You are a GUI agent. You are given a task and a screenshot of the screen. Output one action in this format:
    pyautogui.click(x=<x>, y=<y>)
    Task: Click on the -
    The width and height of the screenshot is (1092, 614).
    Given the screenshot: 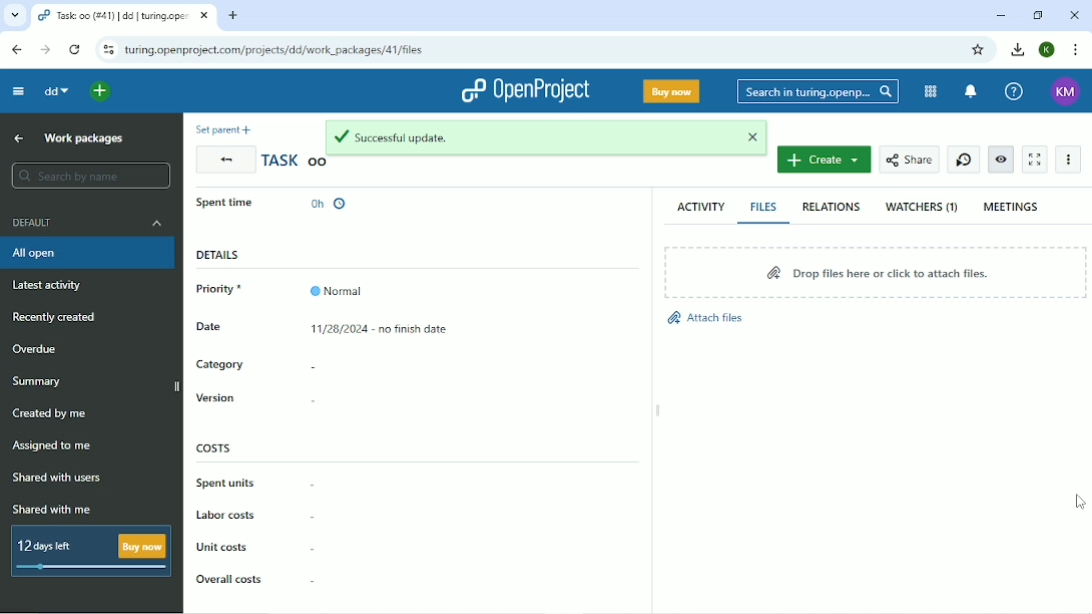 What is the action you would take?
    pyautogui.click(x=313, y=516)
    